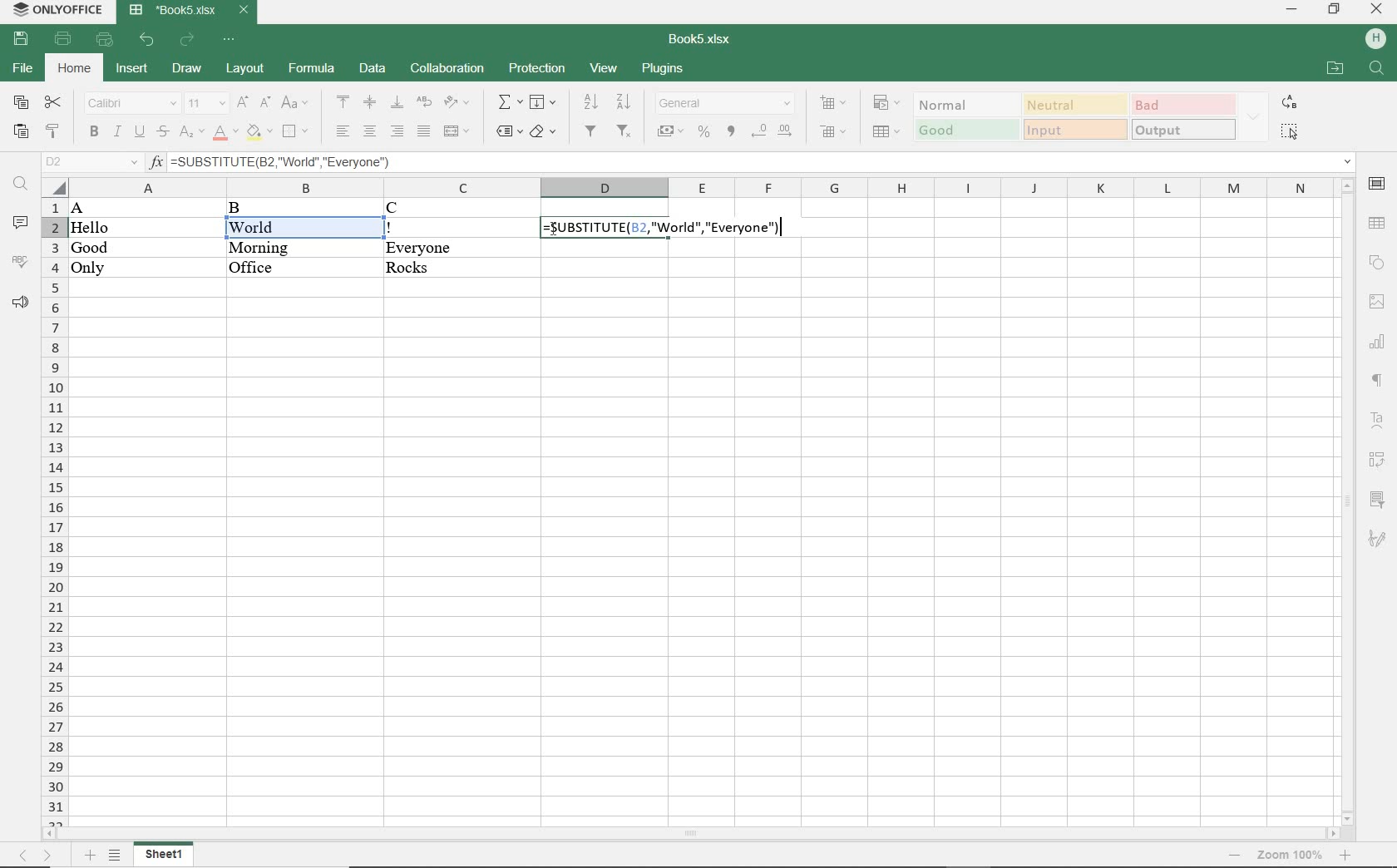 This screenshot has width=1397, height=868. I want to click on output, so click(1182, 131).